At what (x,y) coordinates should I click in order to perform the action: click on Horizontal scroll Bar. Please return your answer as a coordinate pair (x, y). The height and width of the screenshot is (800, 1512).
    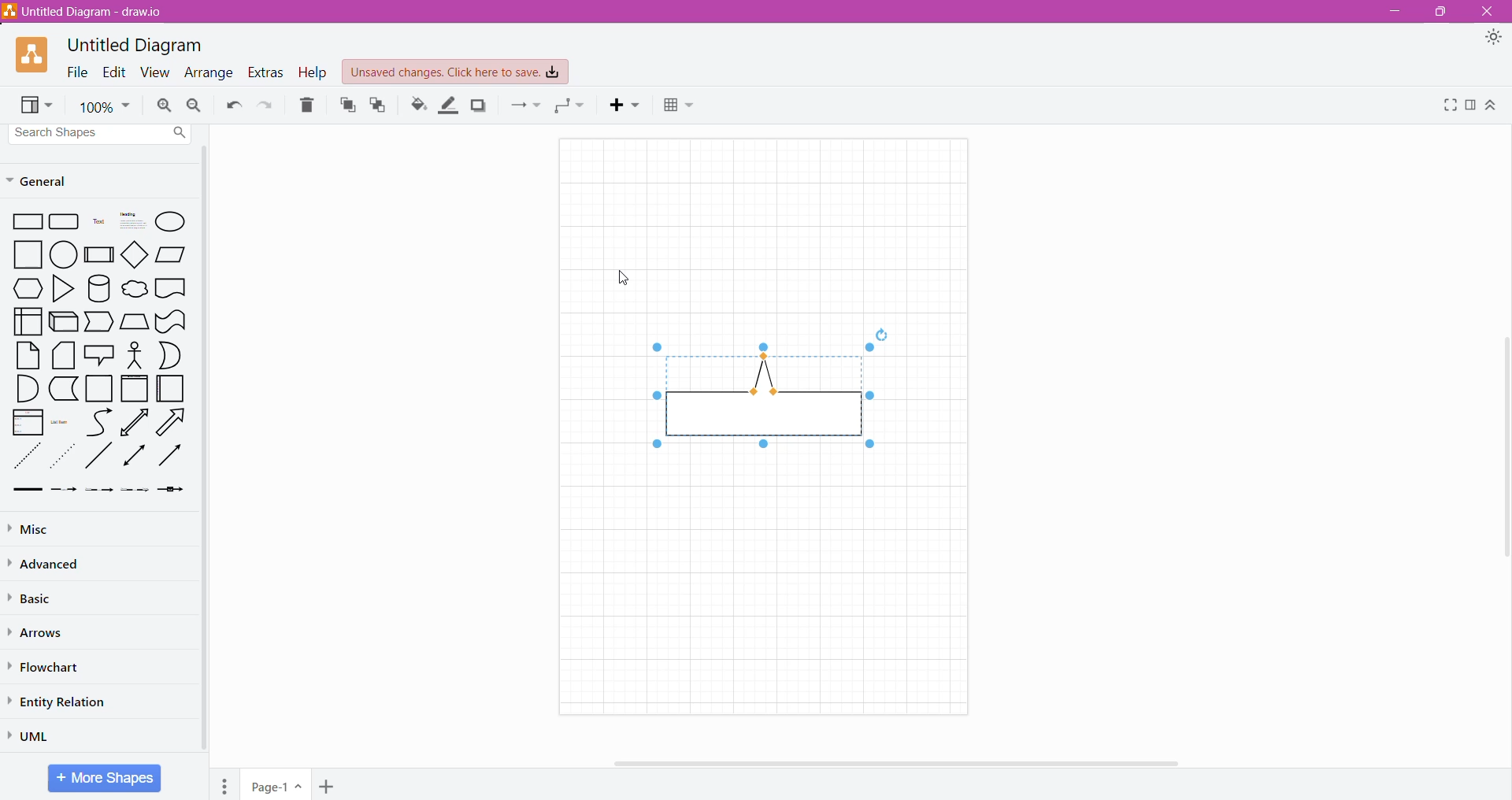
    Looking at the image, I should click on (913, 763).